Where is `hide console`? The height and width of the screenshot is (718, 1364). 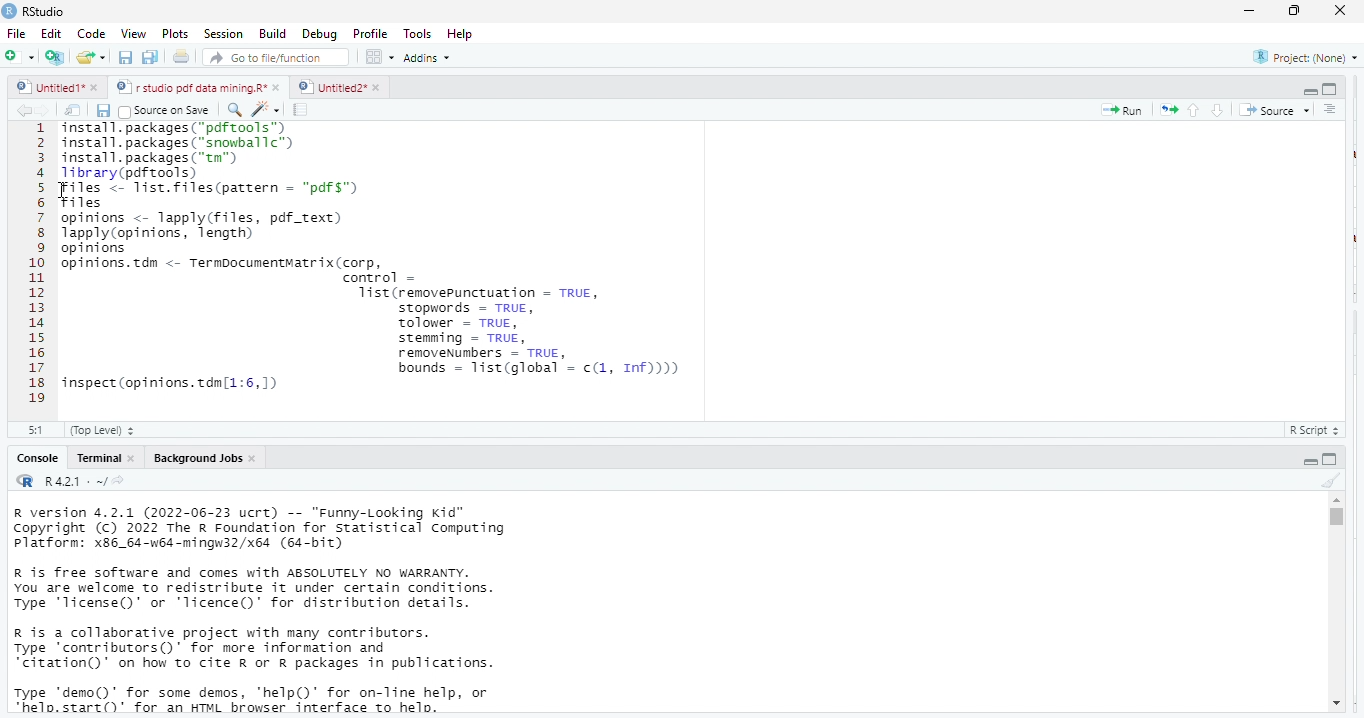
hide console is located at coordinates (1330, 89).